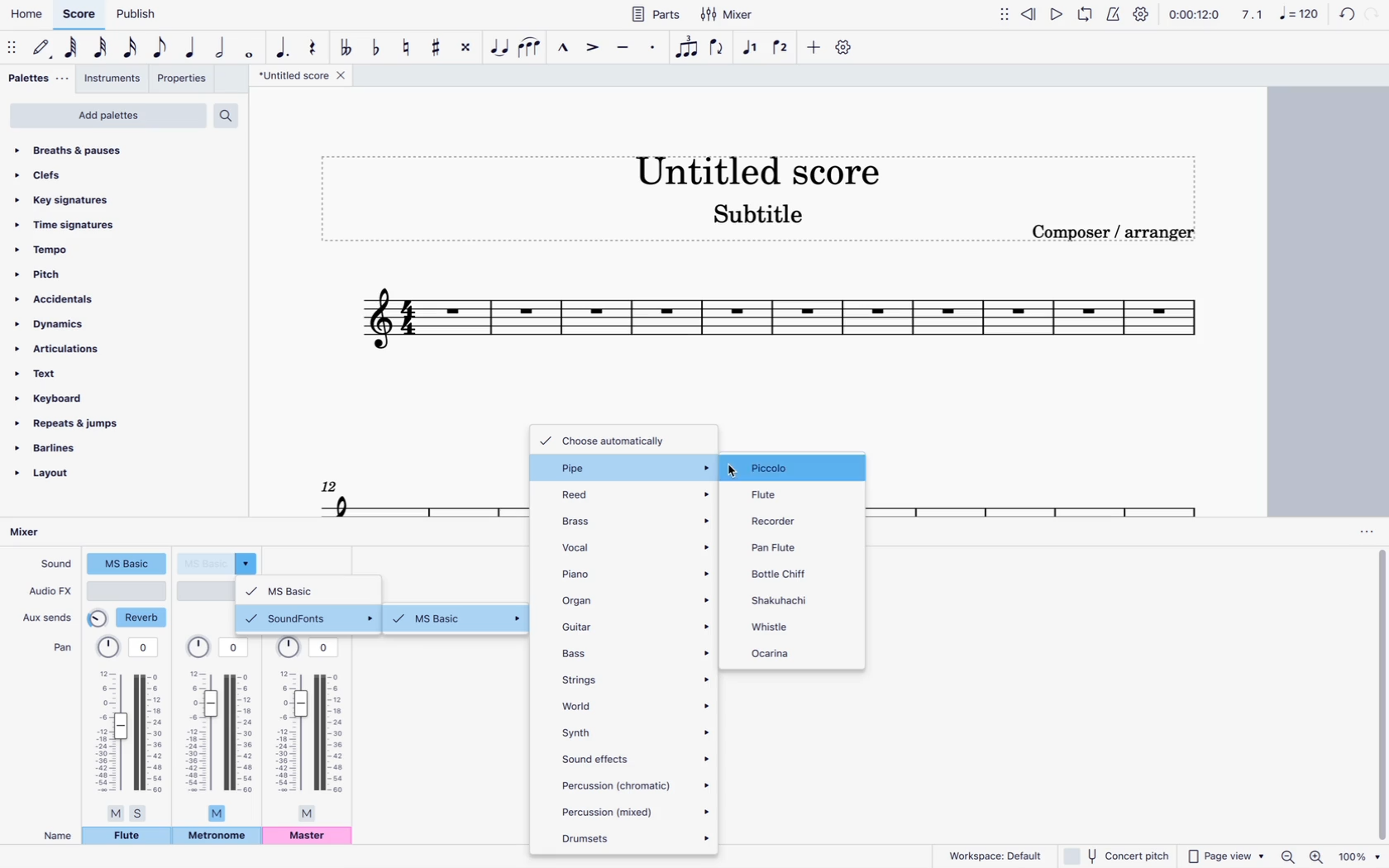 This screenshot has height=868, width=1389. I want to click on toggle double sharp, so click(466, 49).